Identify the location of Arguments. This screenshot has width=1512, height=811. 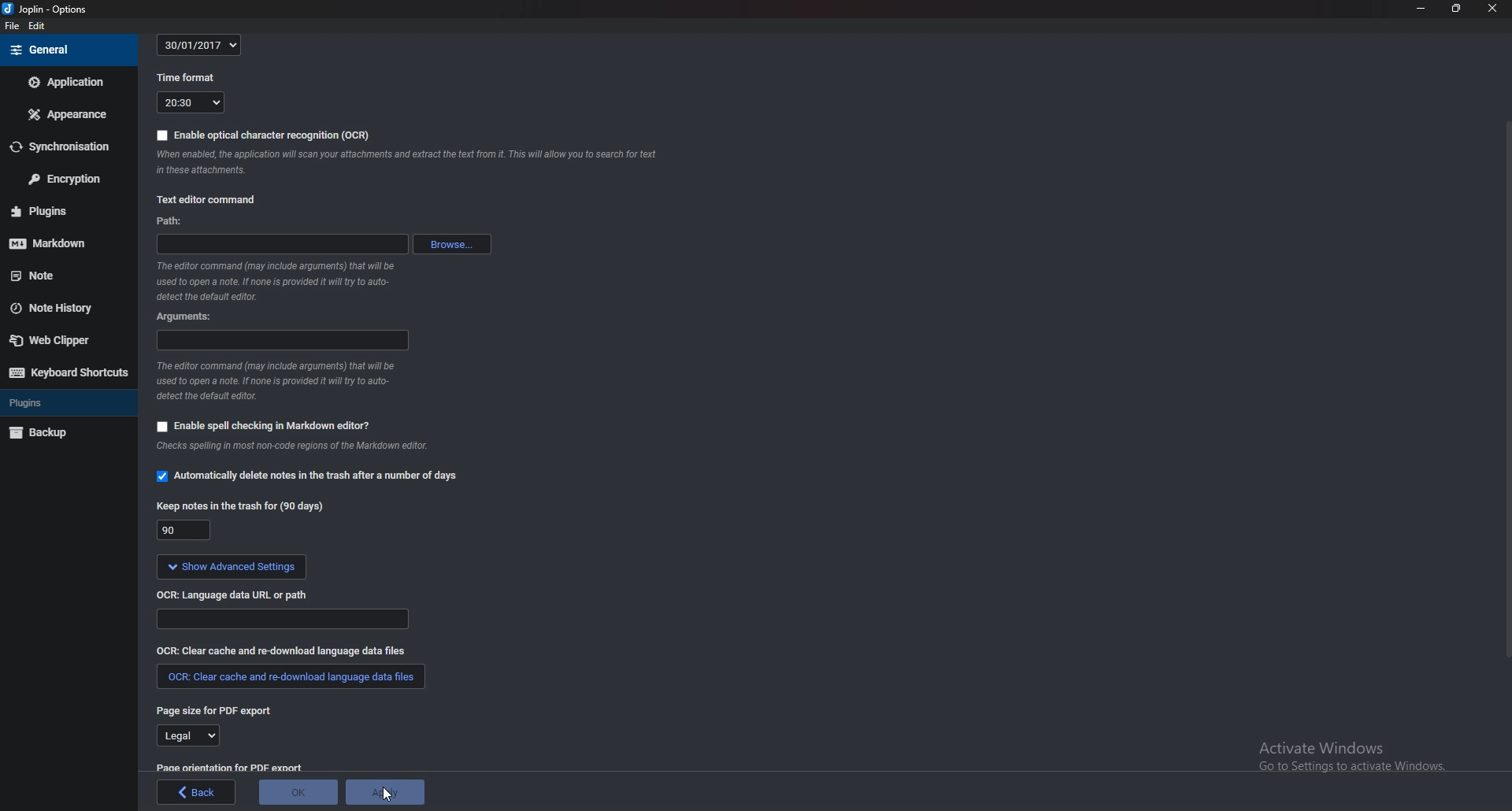
(283, 341).